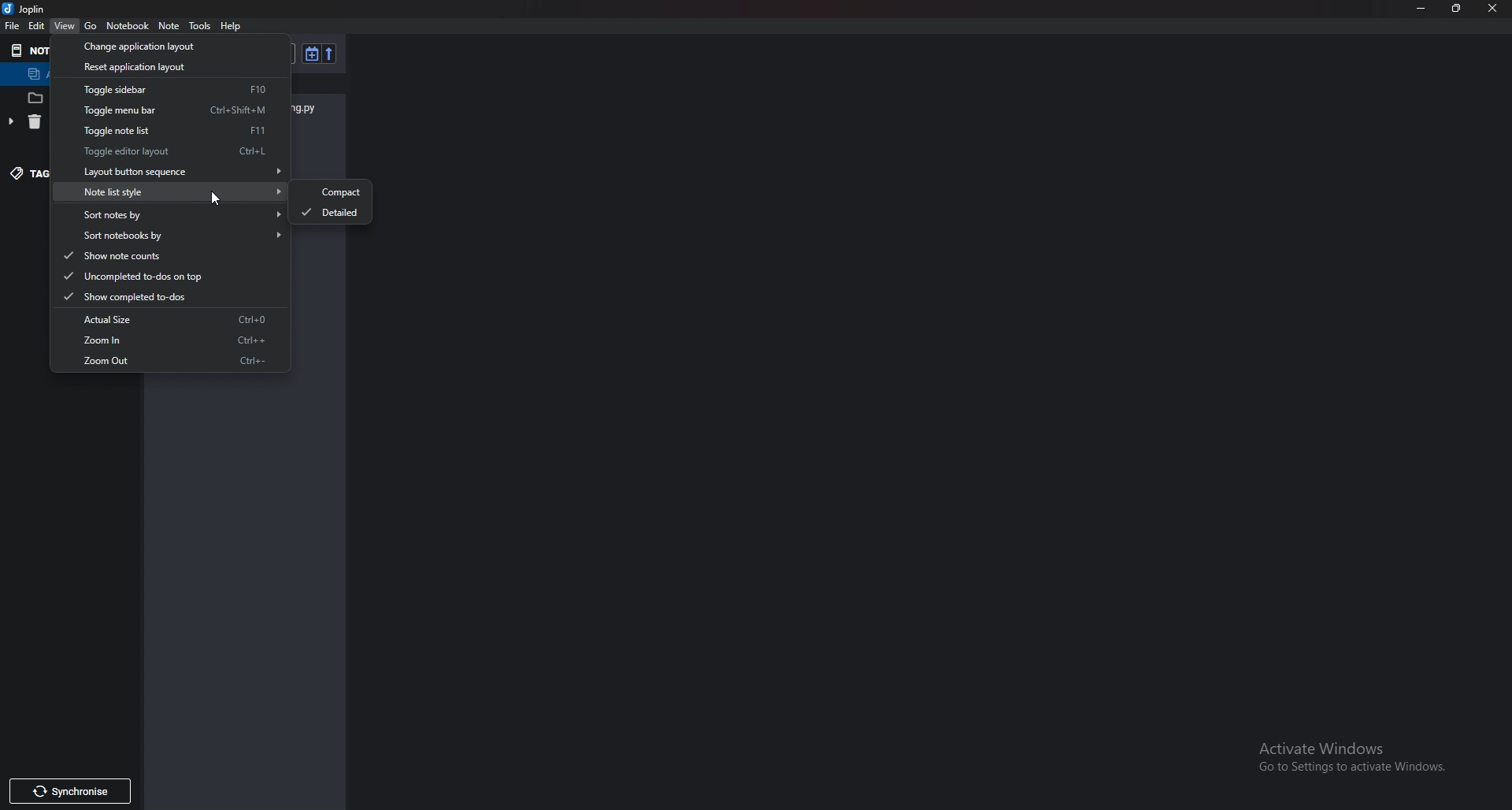  I want to click on Show notecounts, so click(165, 255).